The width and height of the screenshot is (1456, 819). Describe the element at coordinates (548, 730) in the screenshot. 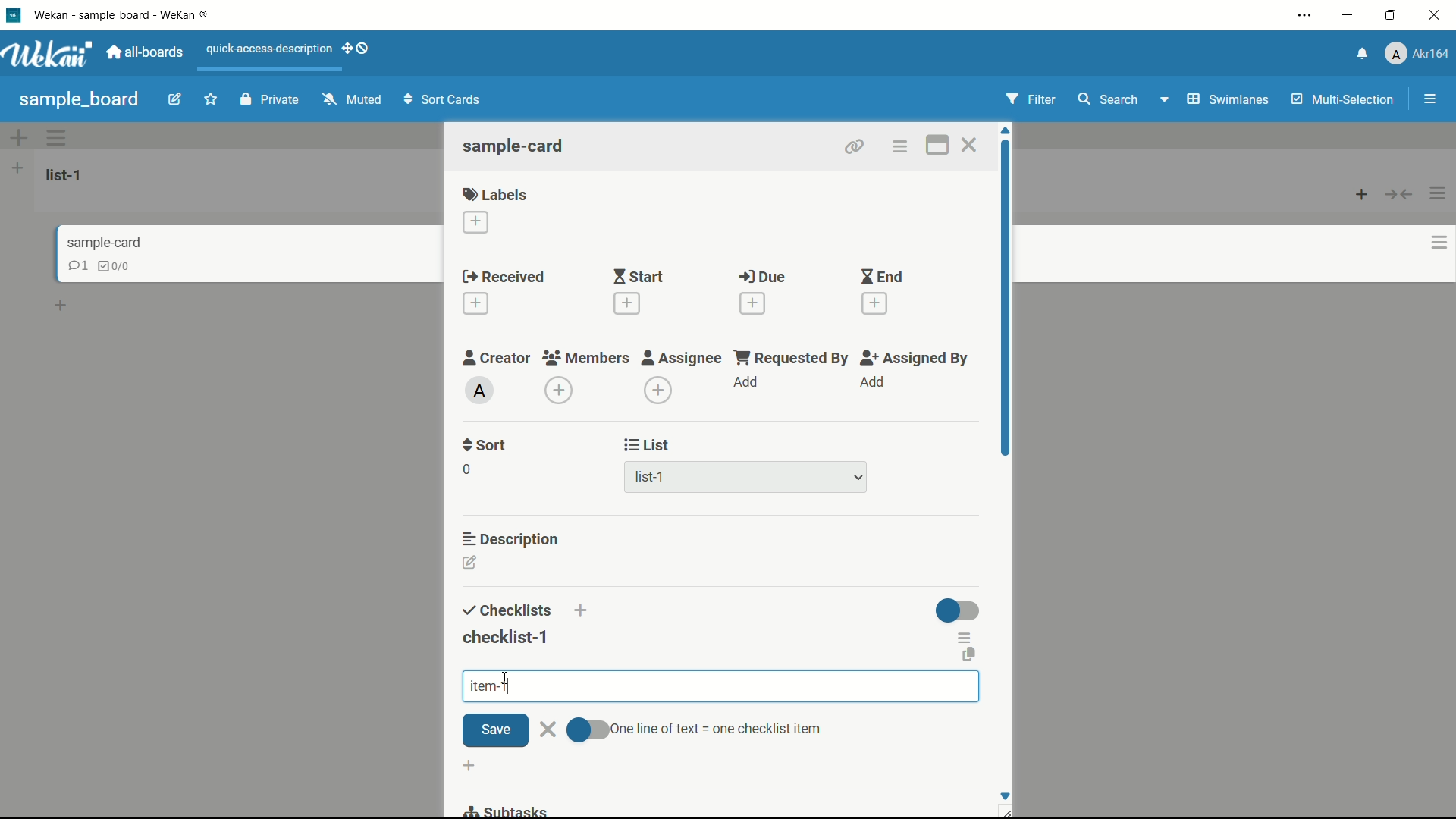

I see `close` at that location.